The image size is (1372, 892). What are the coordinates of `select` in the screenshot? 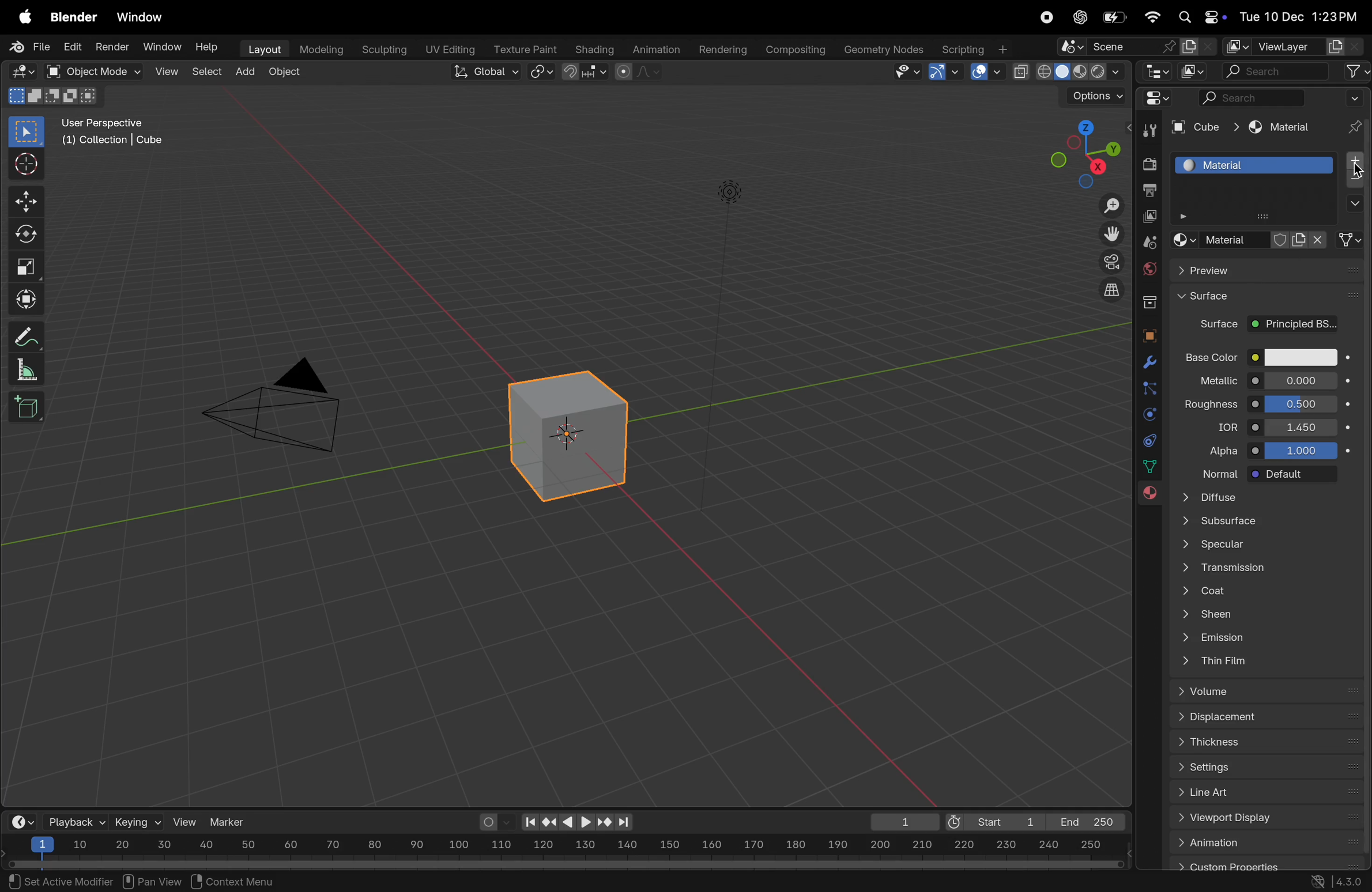 It's located at (28, 132).